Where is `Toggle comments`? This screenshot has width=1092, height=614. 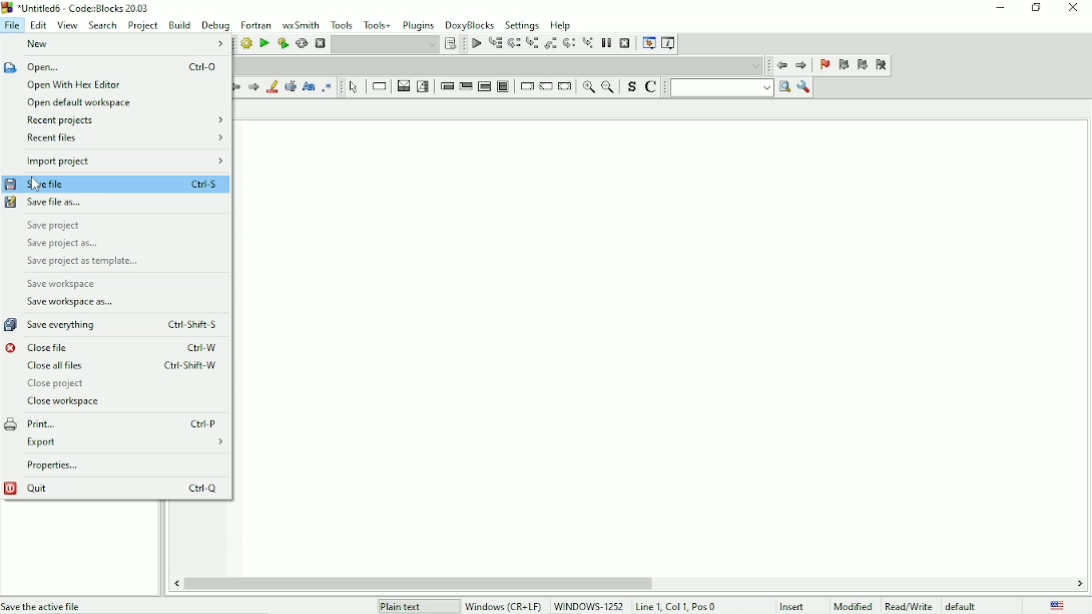 Toggle comments is located at coordinates (652, 87).